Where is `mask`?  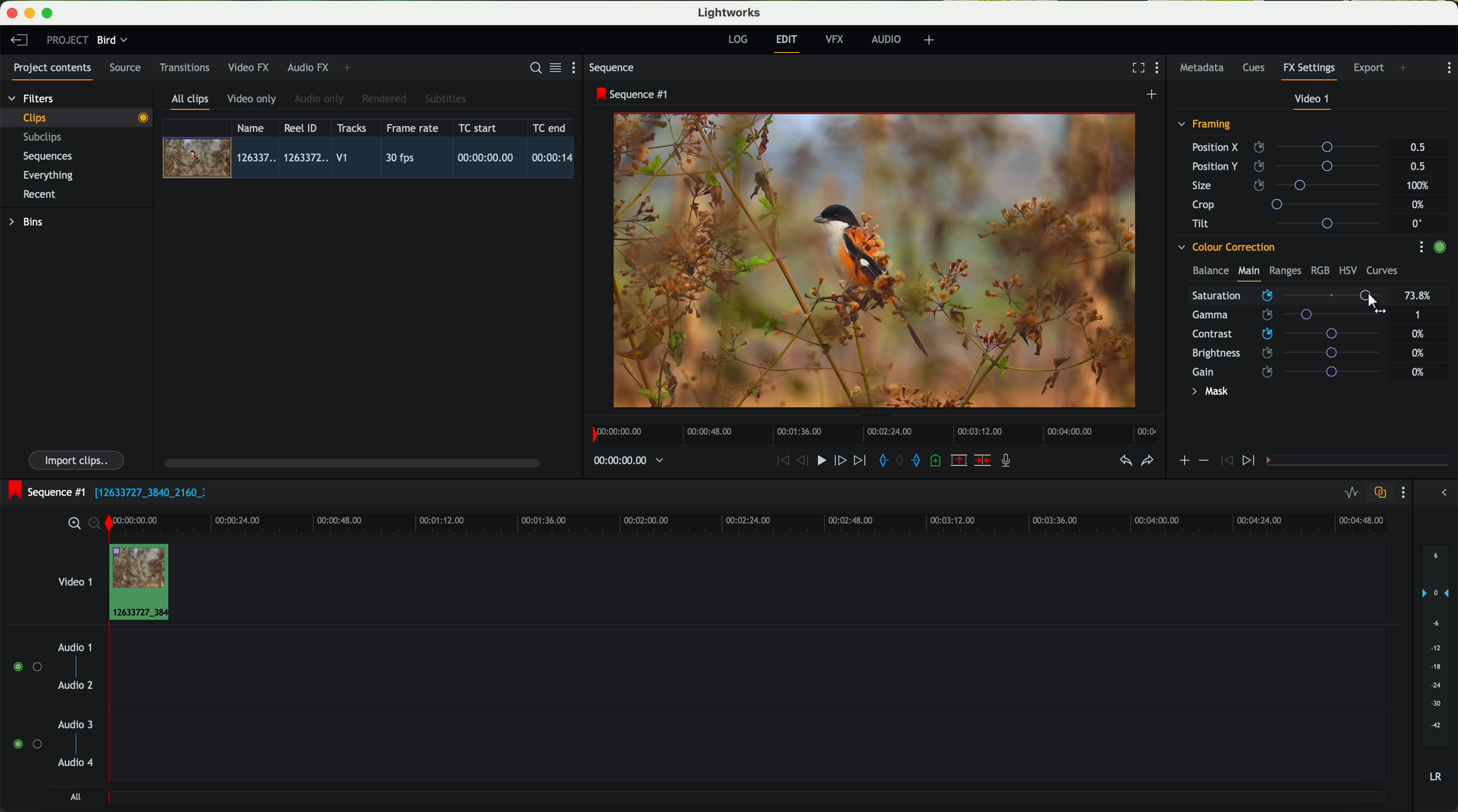
mask is located at coordinates (1208, 393).